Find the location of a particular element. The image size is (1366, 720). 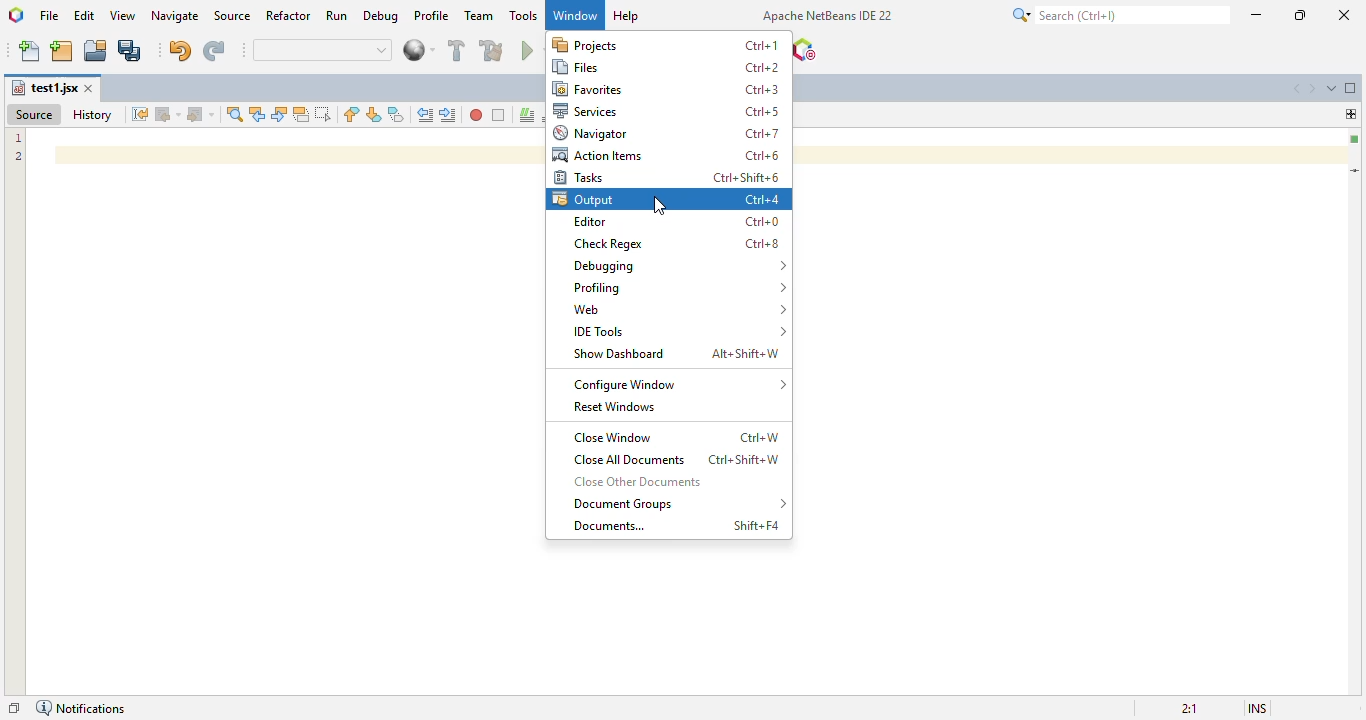

toggle rectangular selection is located at coordinates (322, 113).